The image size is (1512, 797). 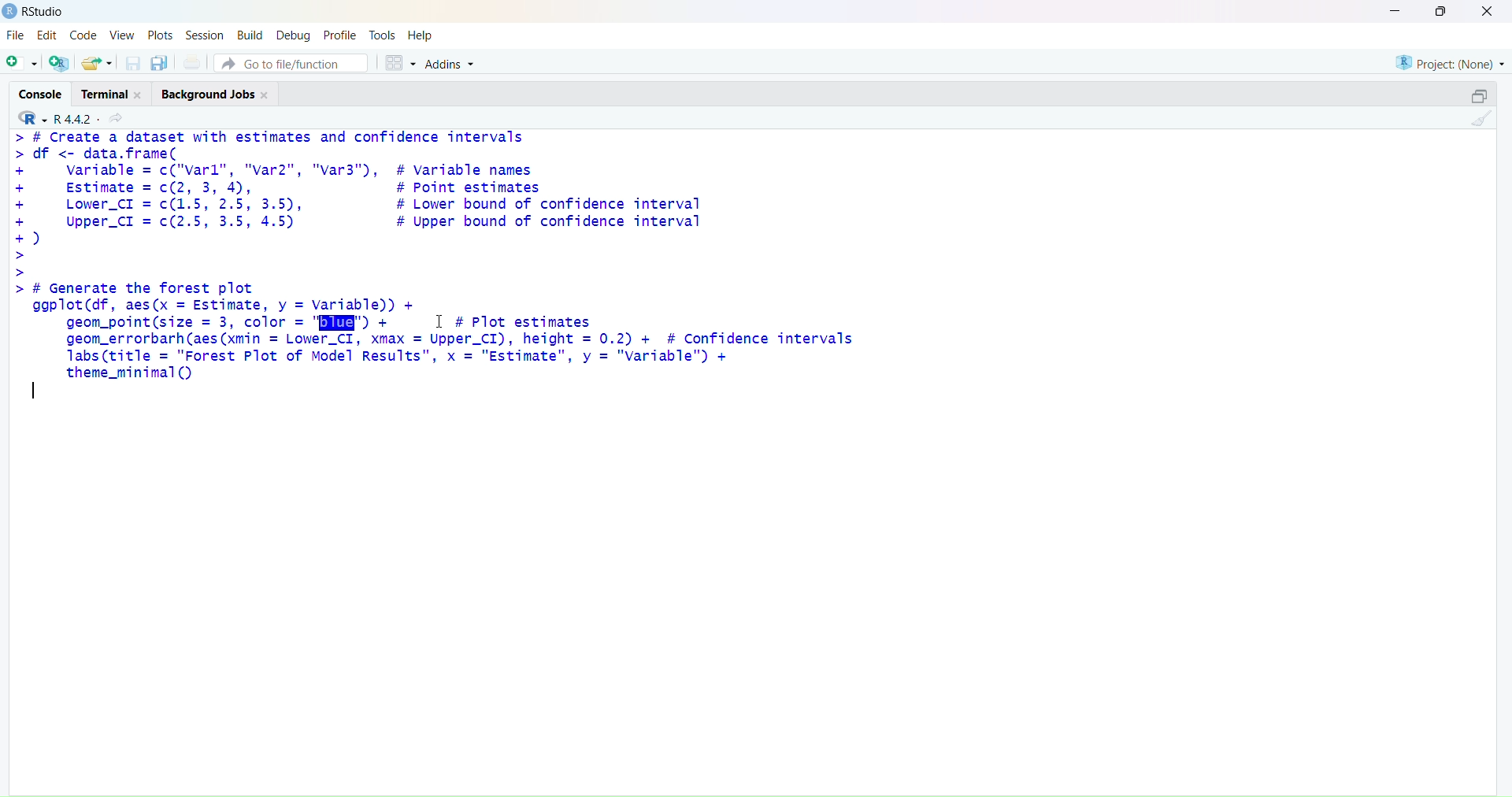 What do you see at coordinates (291, 35) in the screenshot?
I see `Debug` at bounding box center [291, 35].